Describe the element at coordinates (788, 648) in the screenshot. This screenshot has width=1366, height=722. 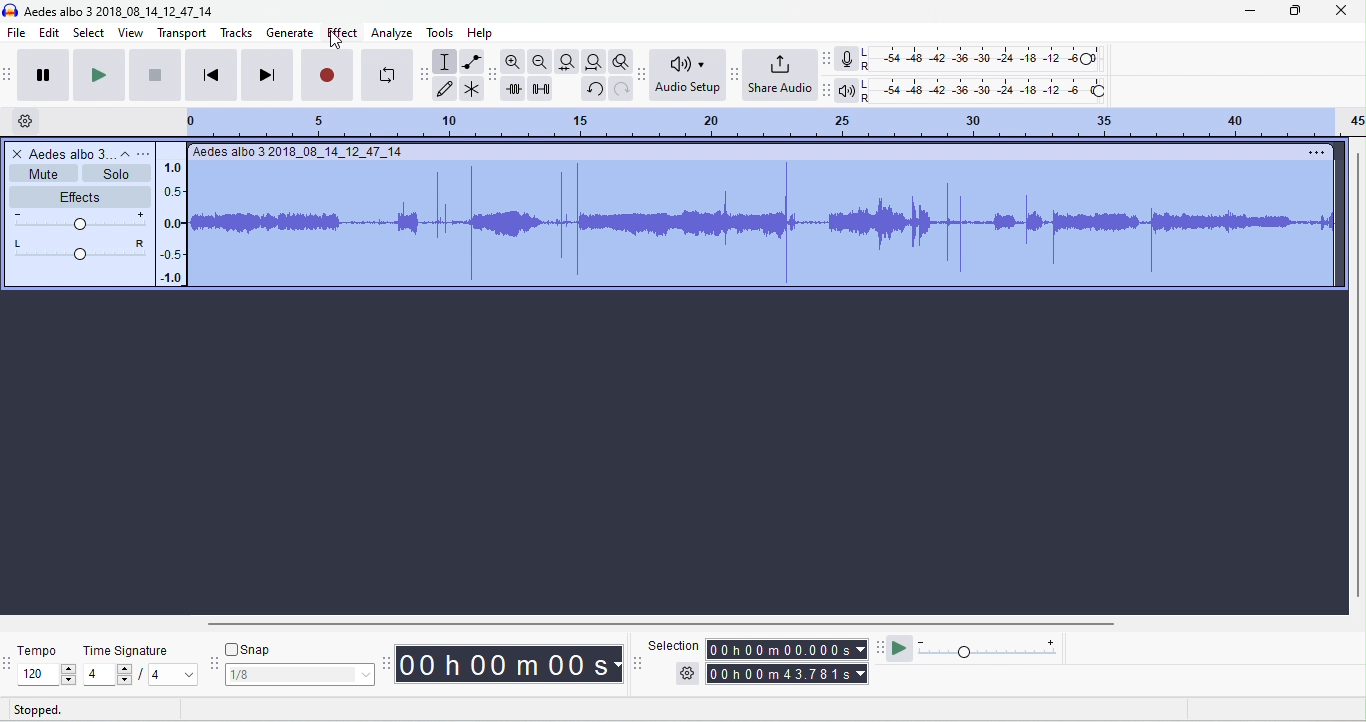
I see `selection time` at that location.